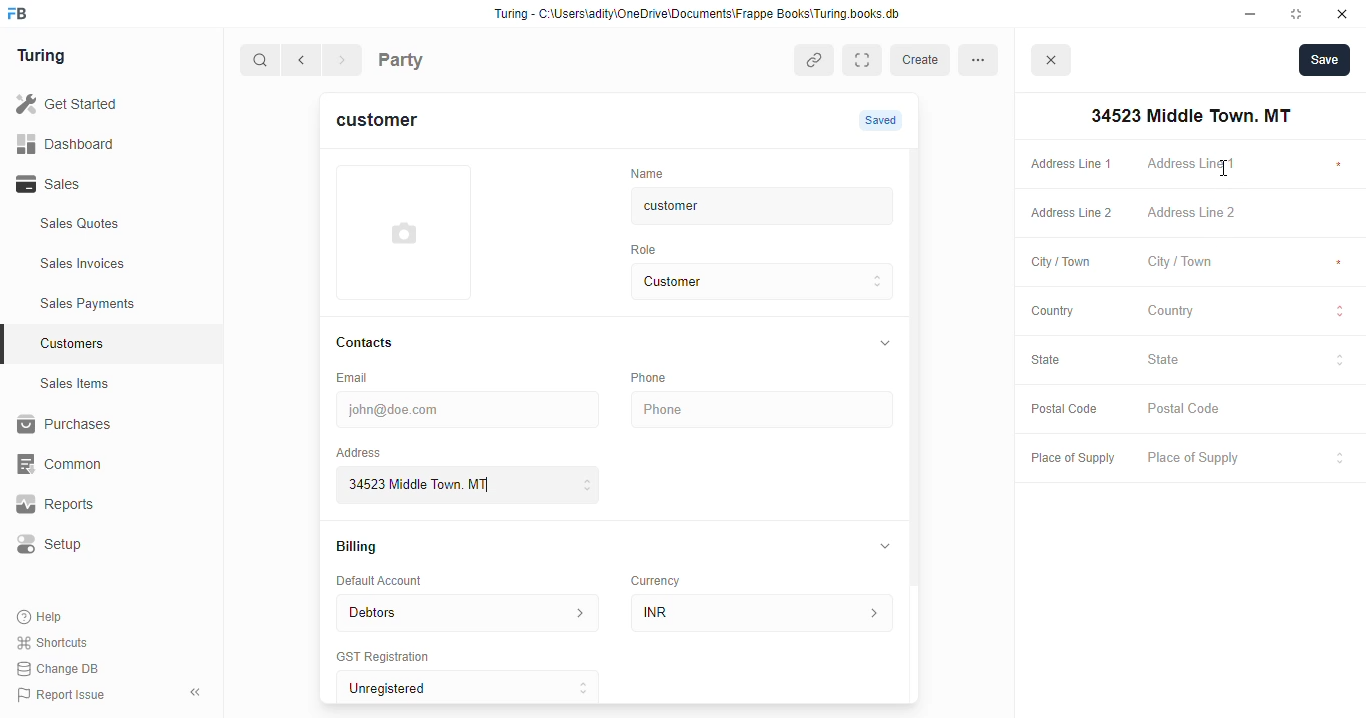 This screenshot has width=1366, height=718. Describe the element at coordinates (442, 58) in the screenshot. I see `Party` at that location.